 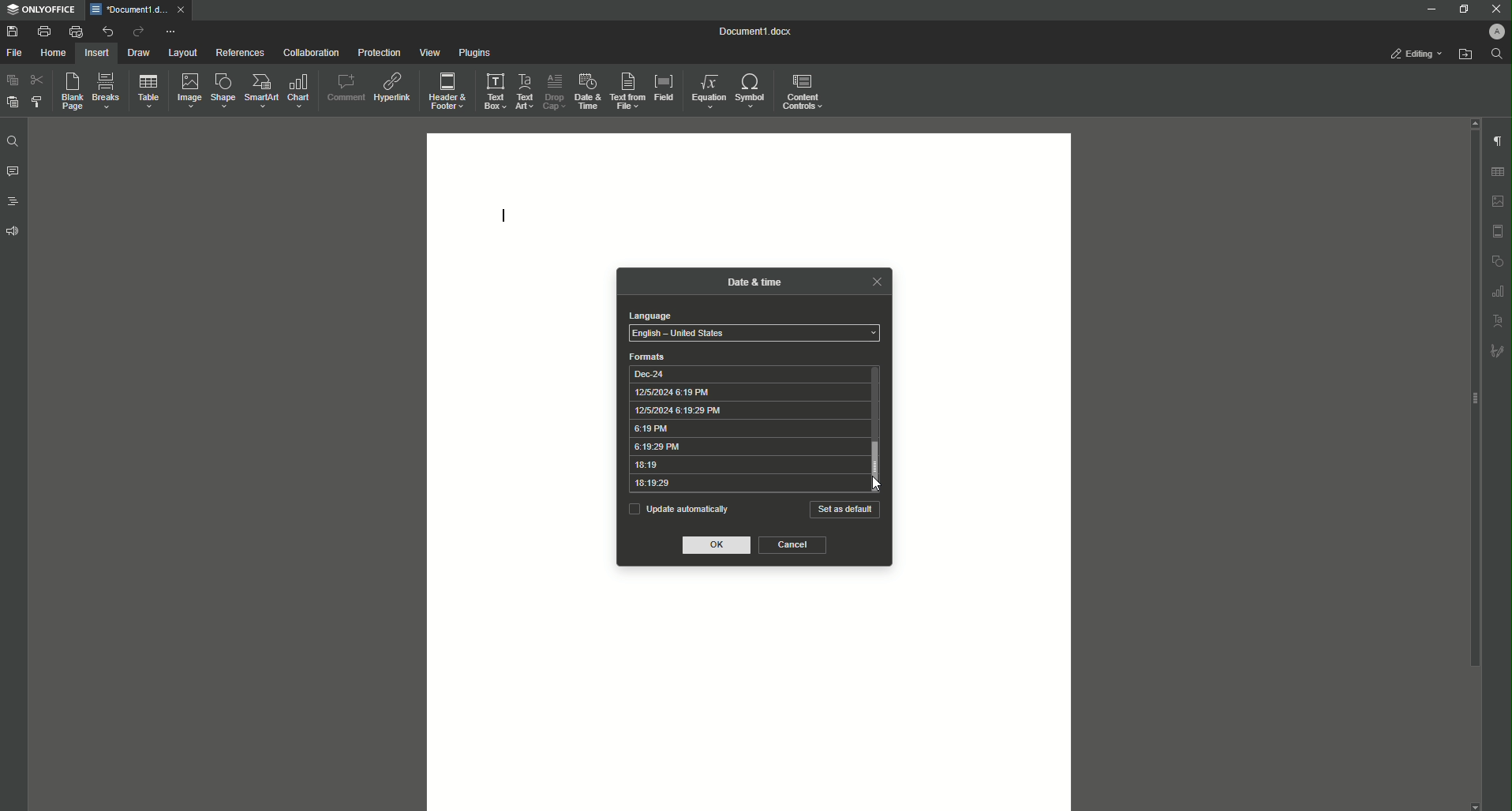 What do you see at coordinates (1496, 140) in the screenshot?
I see `Paragraph Settings` at bounding box center [1496, 140].